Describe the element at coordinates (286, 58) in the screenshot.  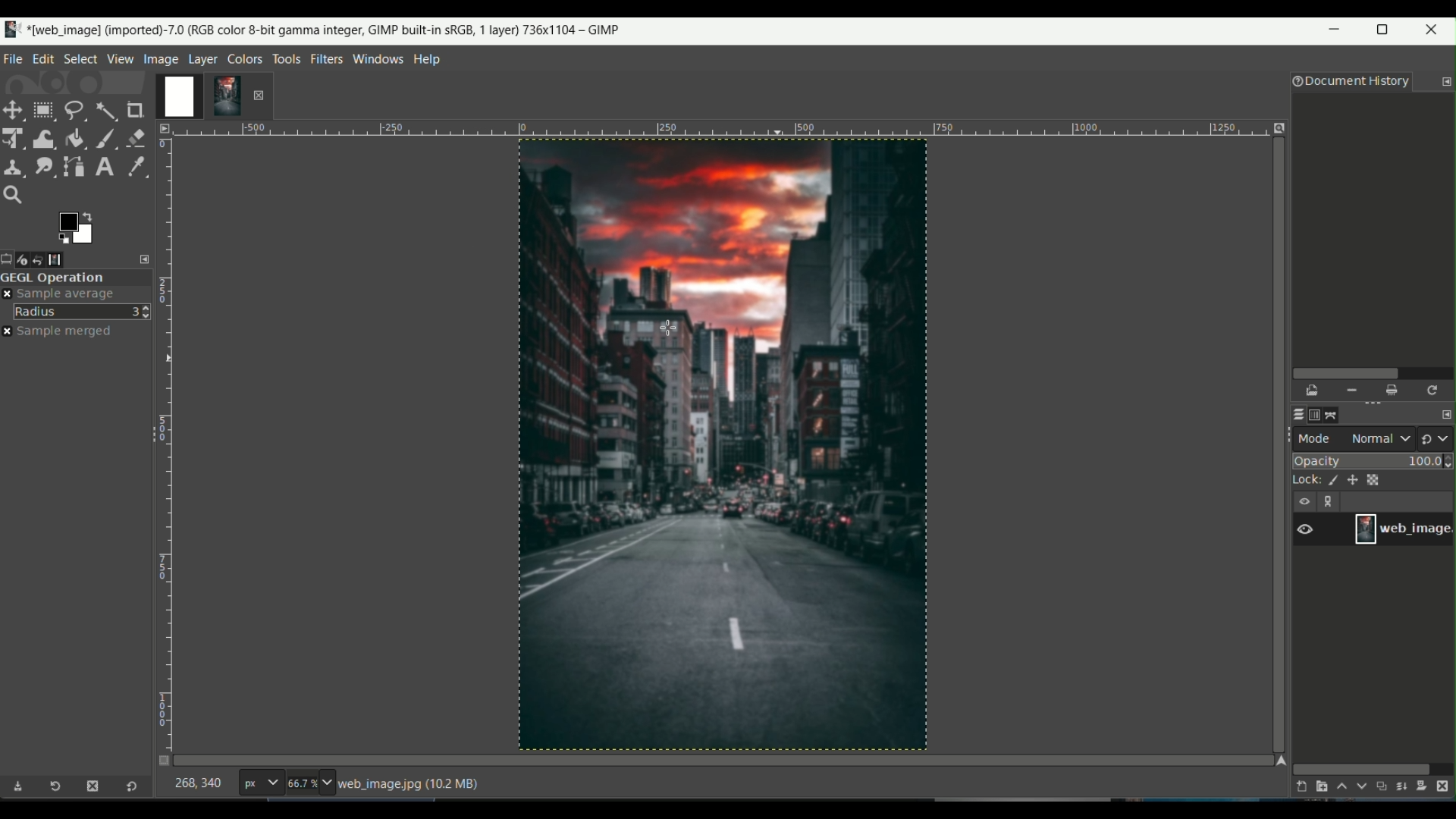
I see `tools tab` at that location.